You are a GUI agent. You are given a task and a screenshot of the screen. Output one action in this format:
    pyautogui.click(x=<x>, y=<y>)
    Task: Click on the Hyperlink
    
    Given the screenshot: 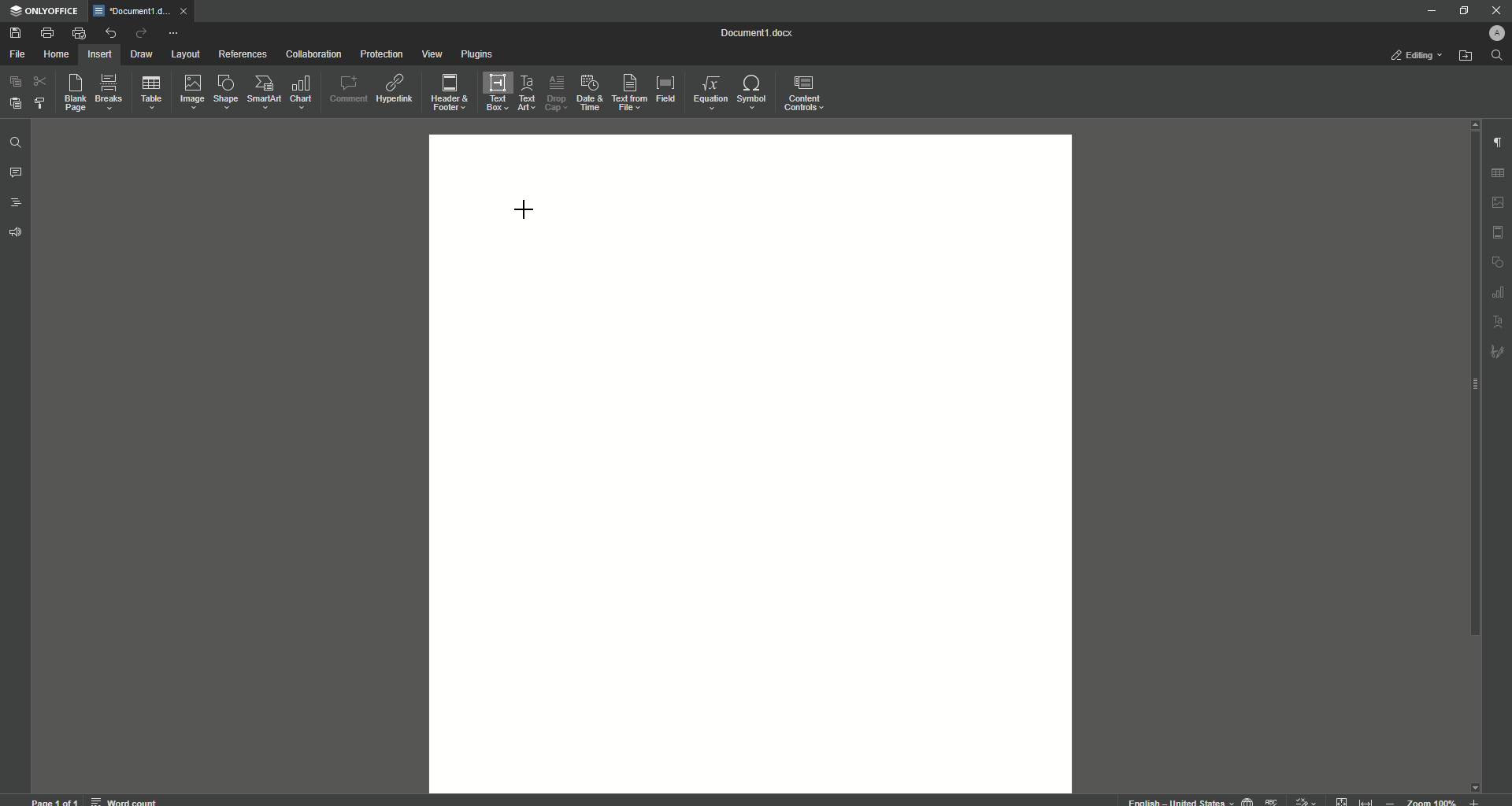 What is the action you would take?
    pyautogui.click(x=396, y=89)
    